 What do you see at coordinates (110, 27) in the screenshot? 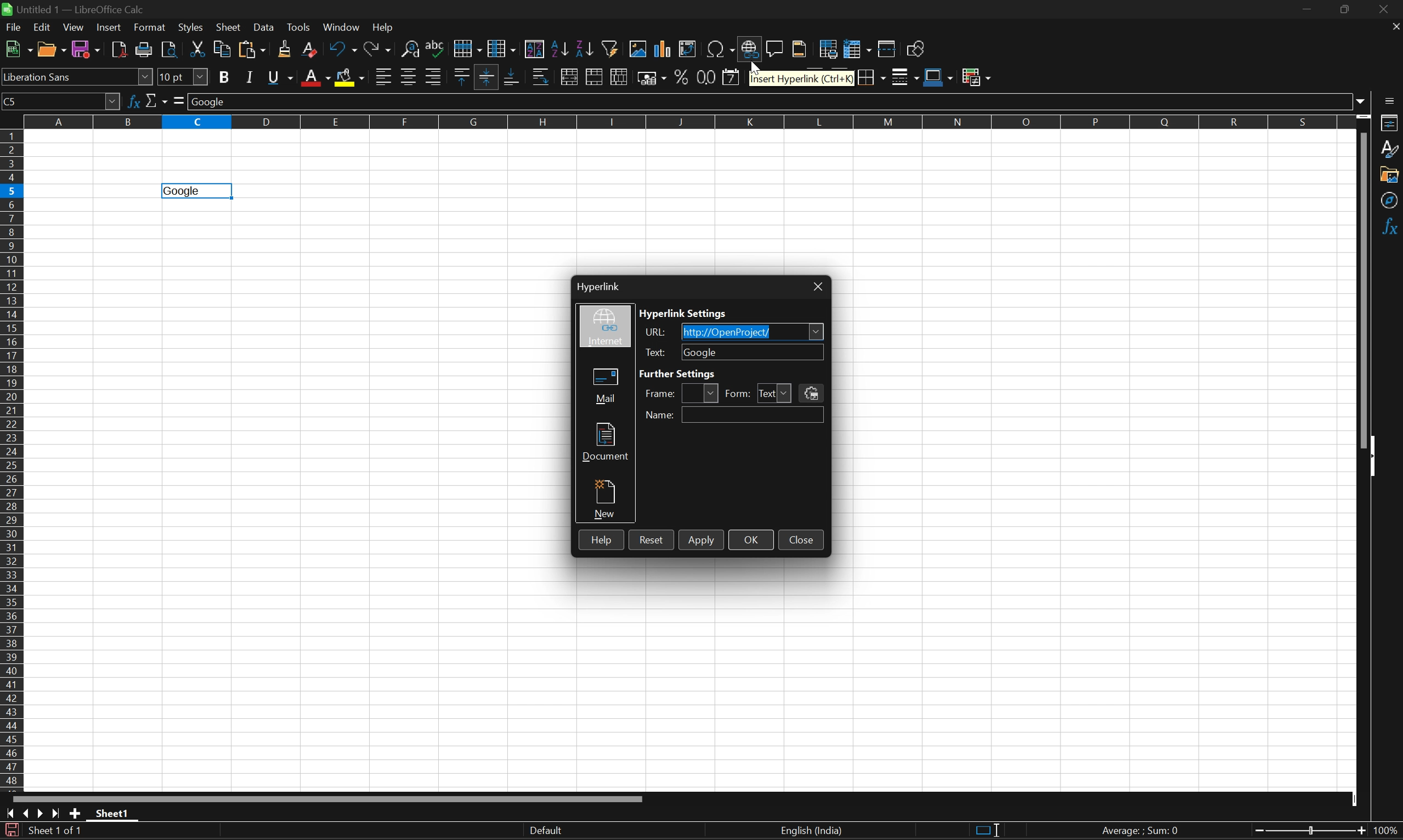
I see `Insert` at bounding box center [110, 27].